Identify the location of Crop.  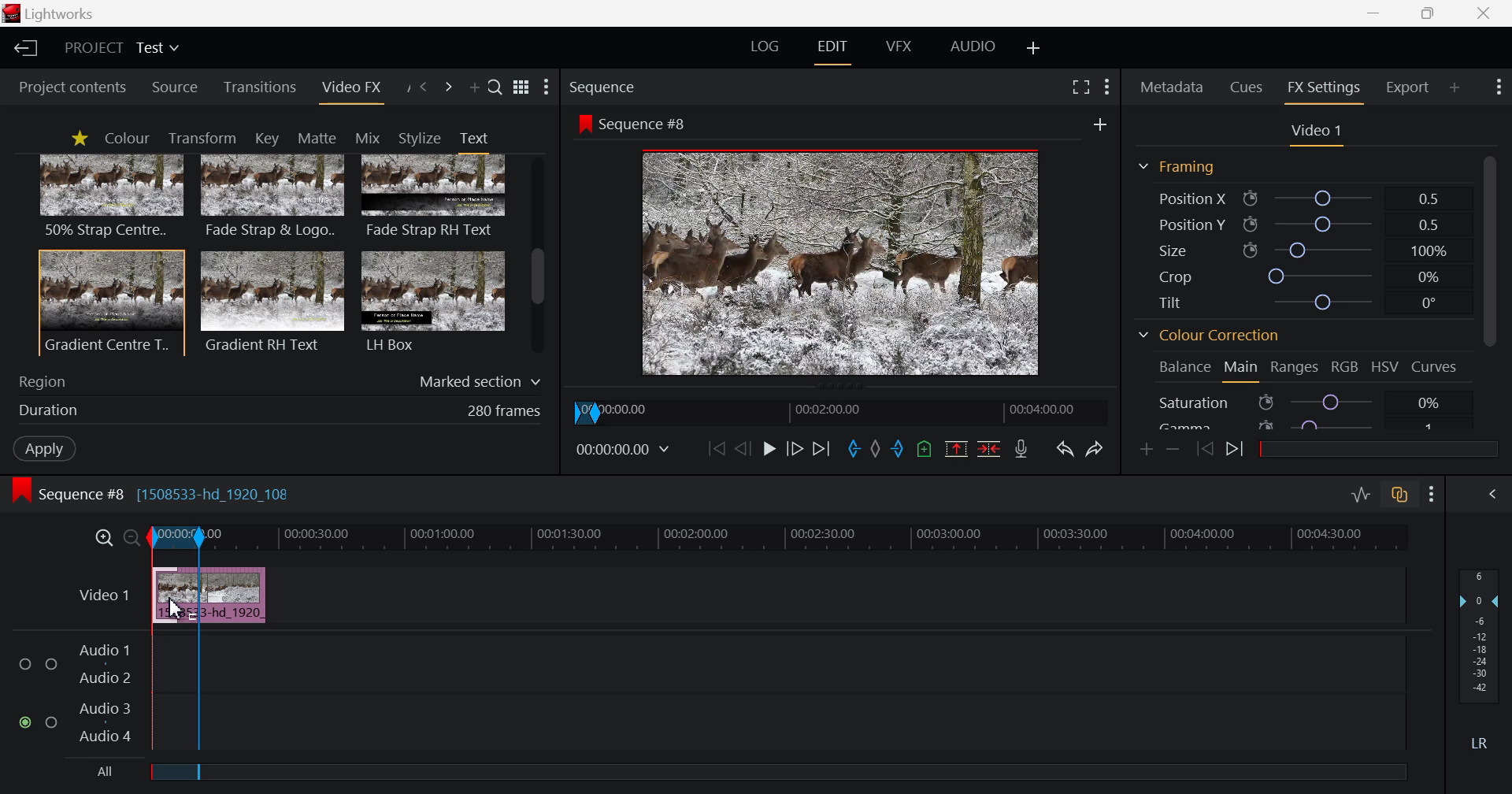
(1301, 276).